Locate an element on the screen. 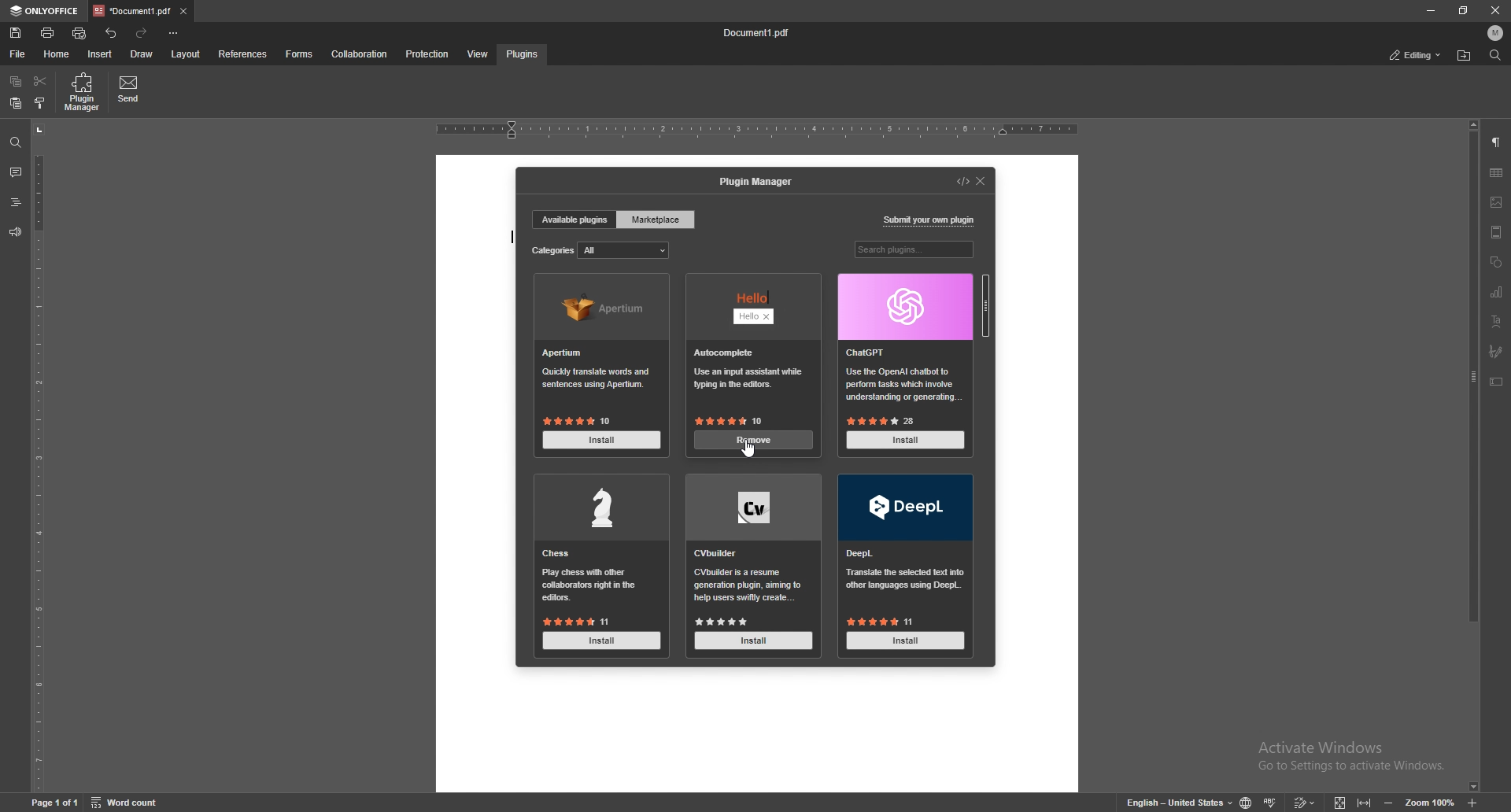 Image resolution: width=1511 pixels, height=812 pixels. profile is located at coordinates (1498, 32).